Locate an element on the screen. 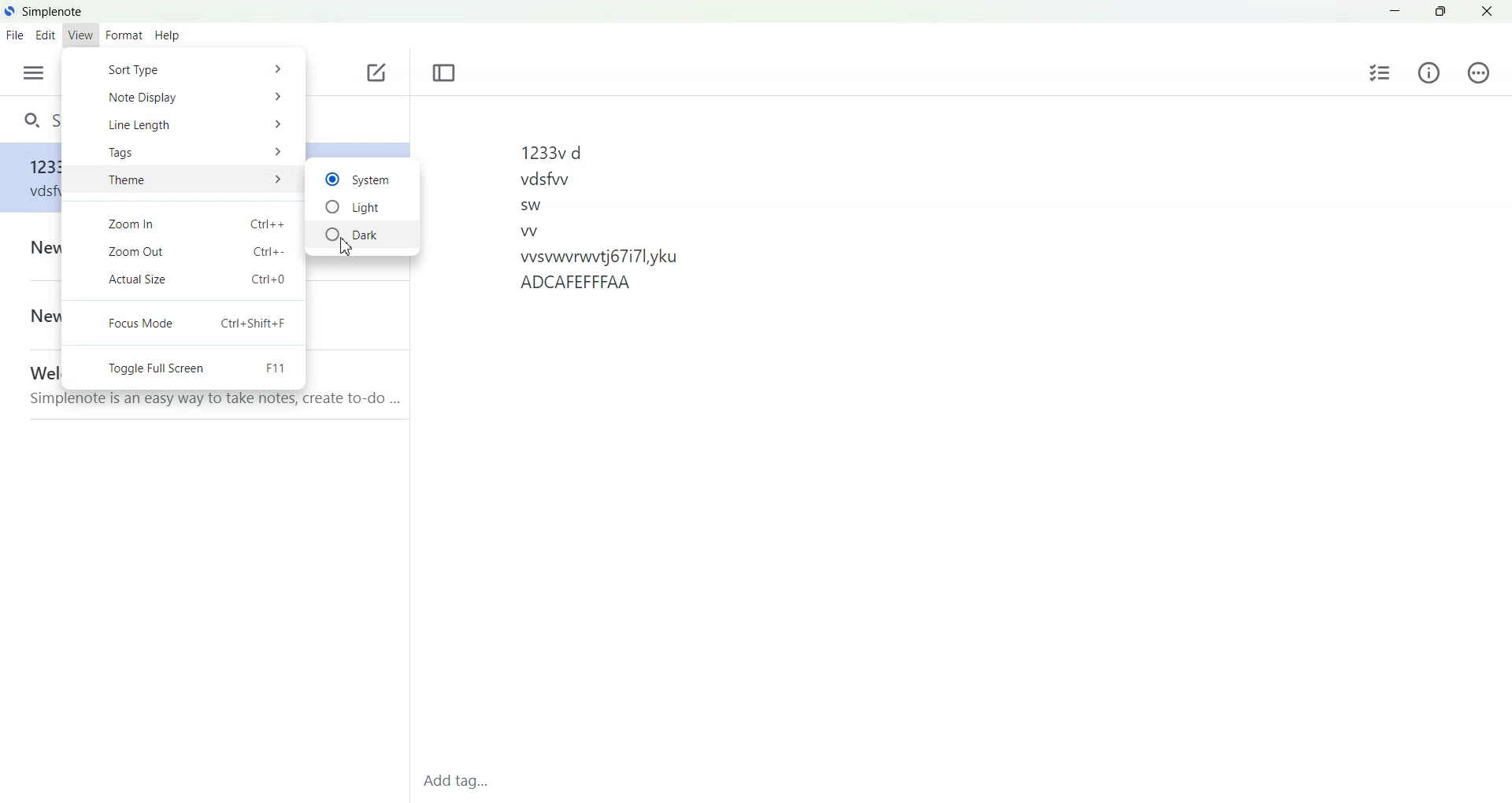 The height and width of the screenshot is (803, 1512). Focus Mode is located at coordinates (183, 323).